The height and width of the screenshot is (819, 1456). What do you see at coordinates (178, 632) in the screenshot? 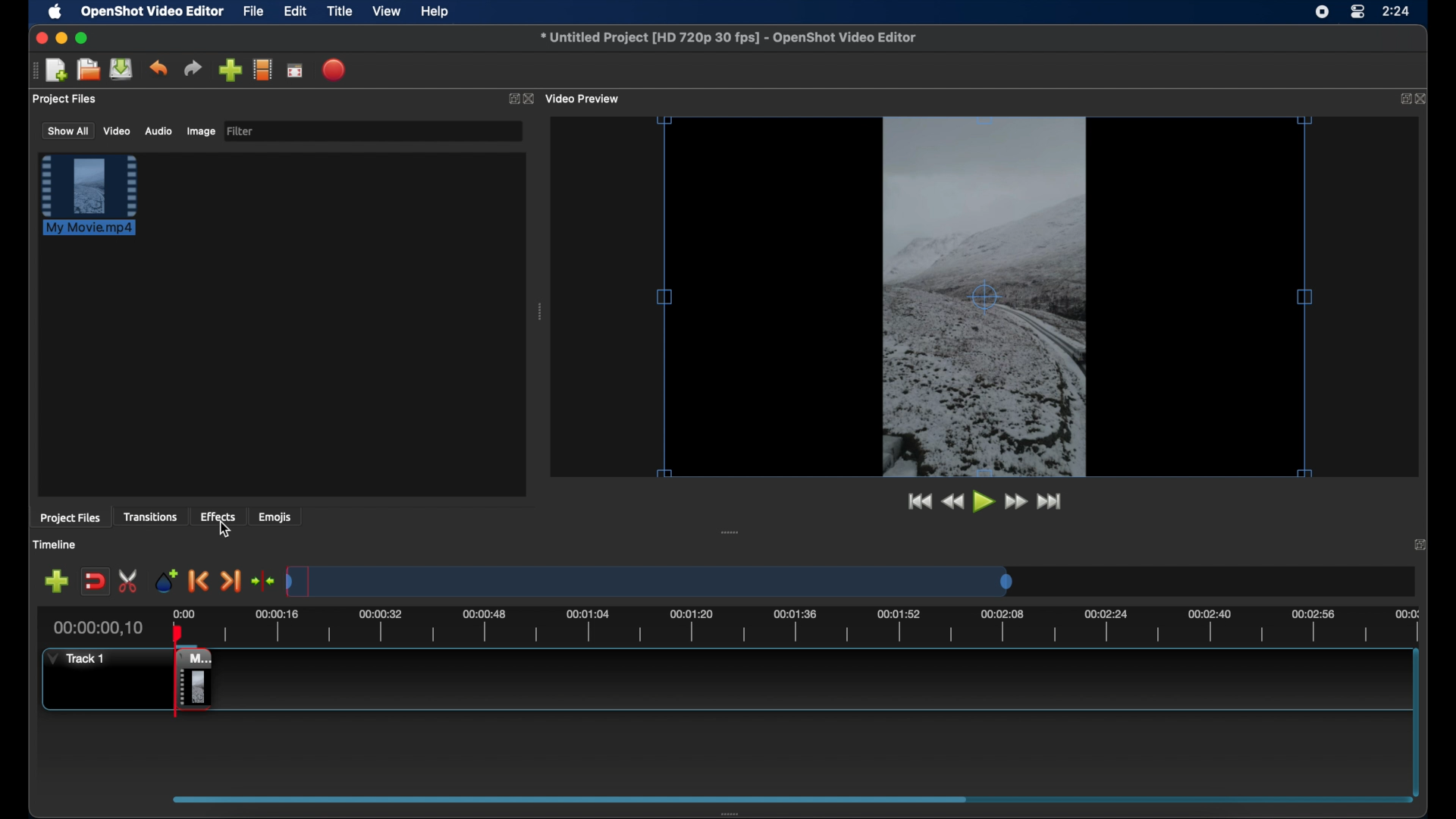
I see `playhead` at bounding box center [178, 632].